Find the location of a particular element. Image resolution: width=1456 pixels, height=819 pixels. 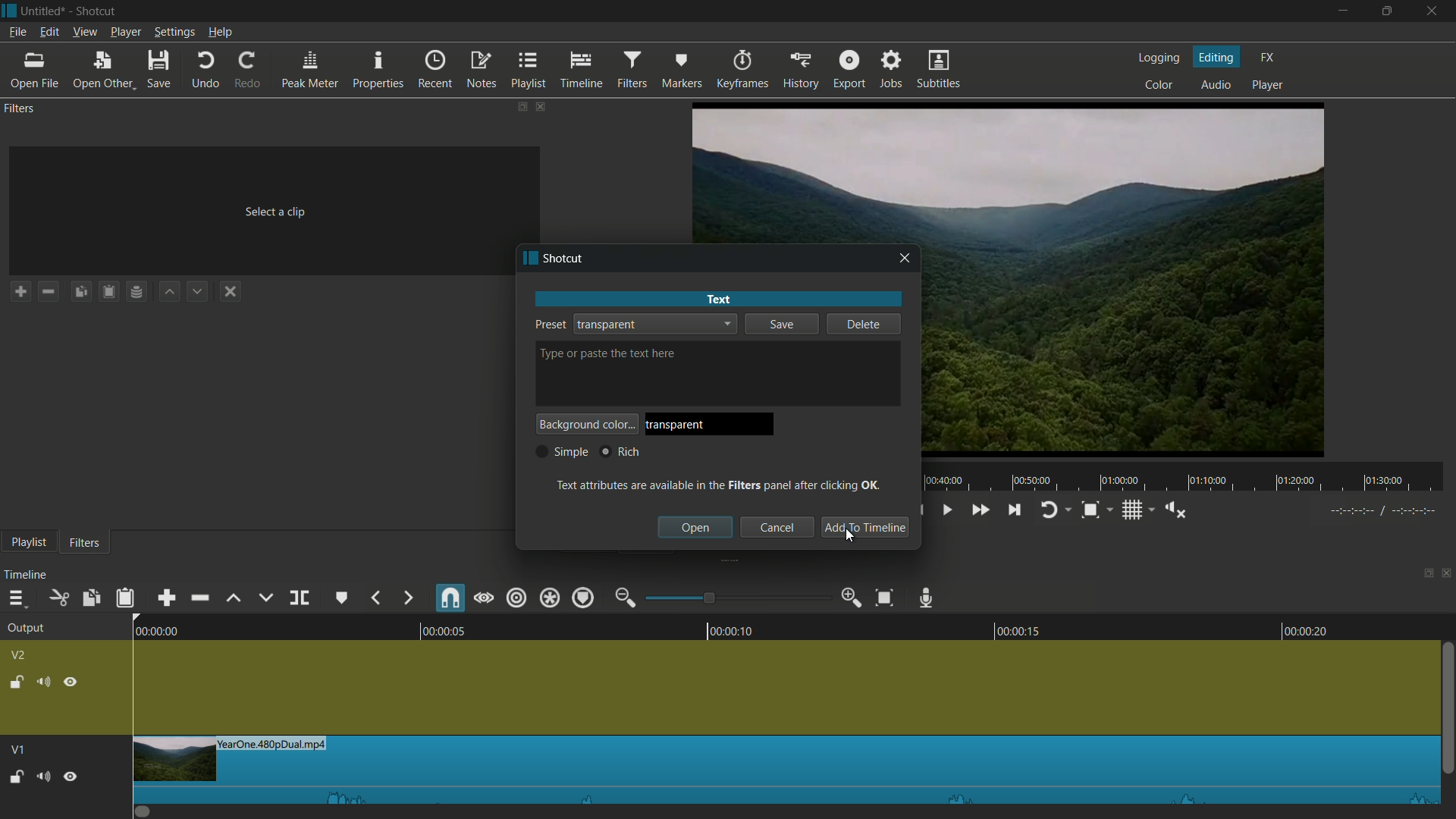

toggle snap is located at coordinates (1090, 510).